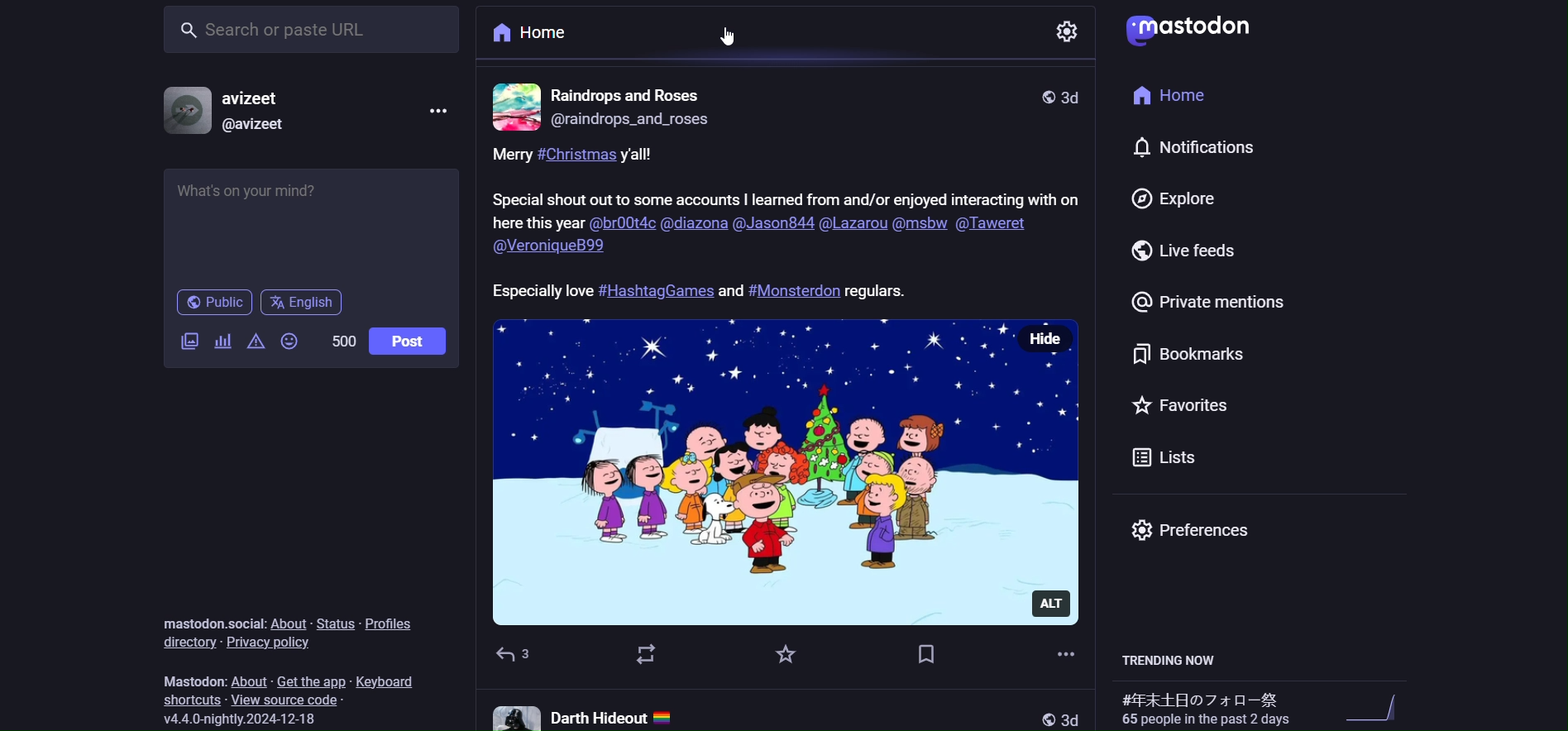 The image size is (1568, 731). What do you see at coordinates (1042, 97) in the screenshot?
I see `public` at bounding box center [1042, 97].